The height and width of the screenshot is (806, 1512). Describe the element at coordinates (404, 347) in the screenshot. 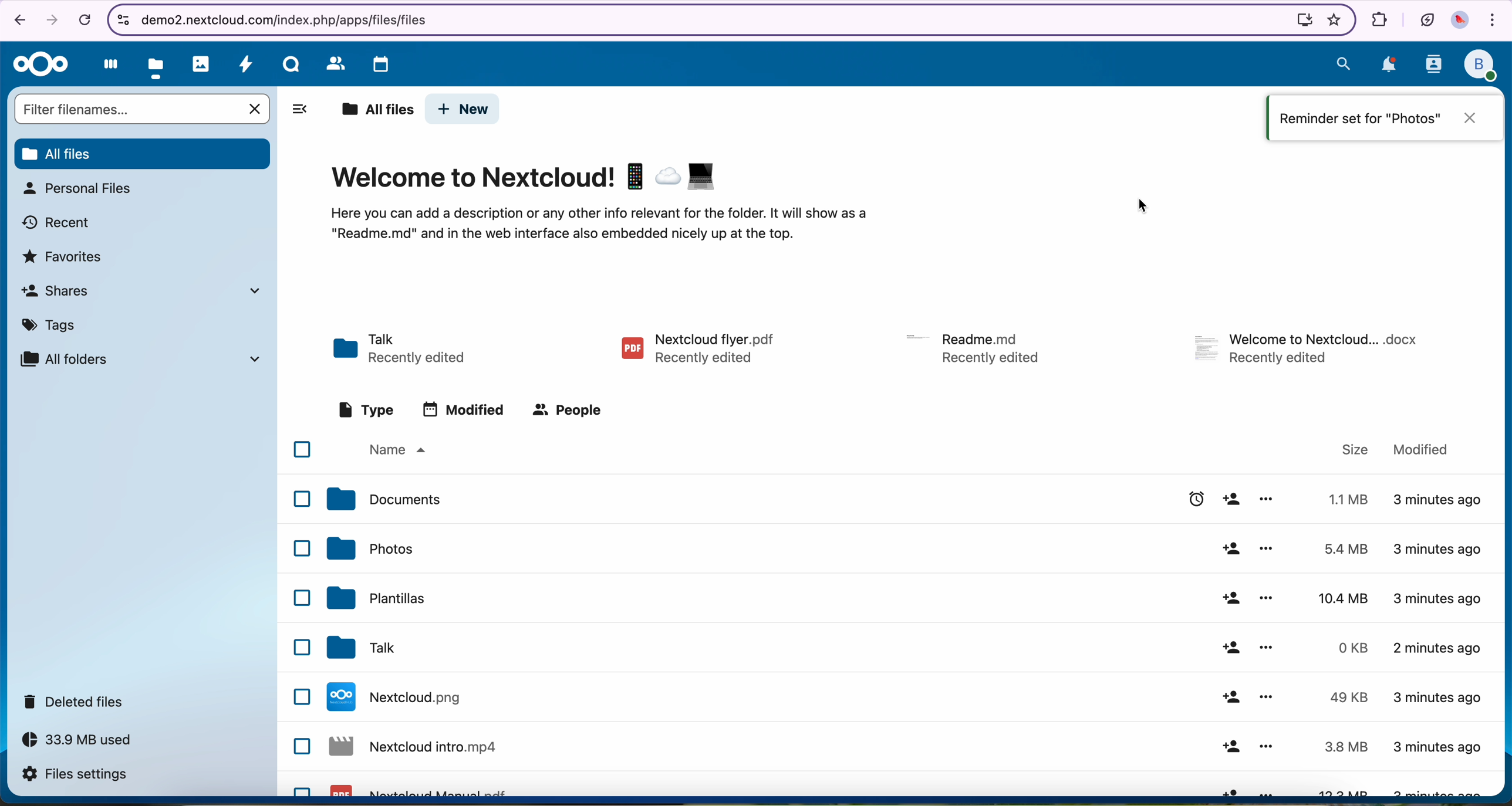

I see `Talk folder` at that location.